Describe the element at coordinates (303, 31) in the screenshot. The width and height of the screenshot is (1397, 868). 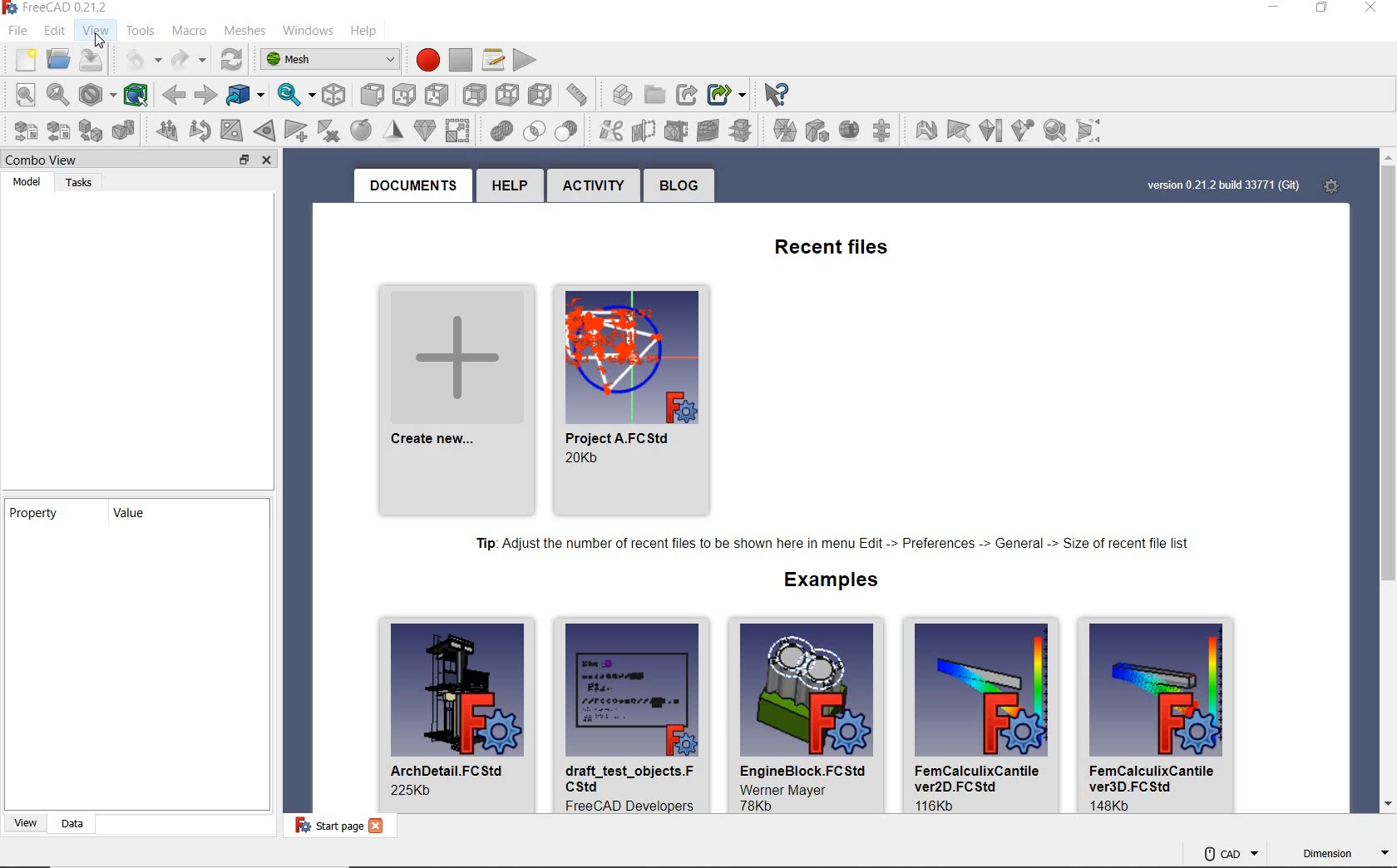
I see `windows` at that location.